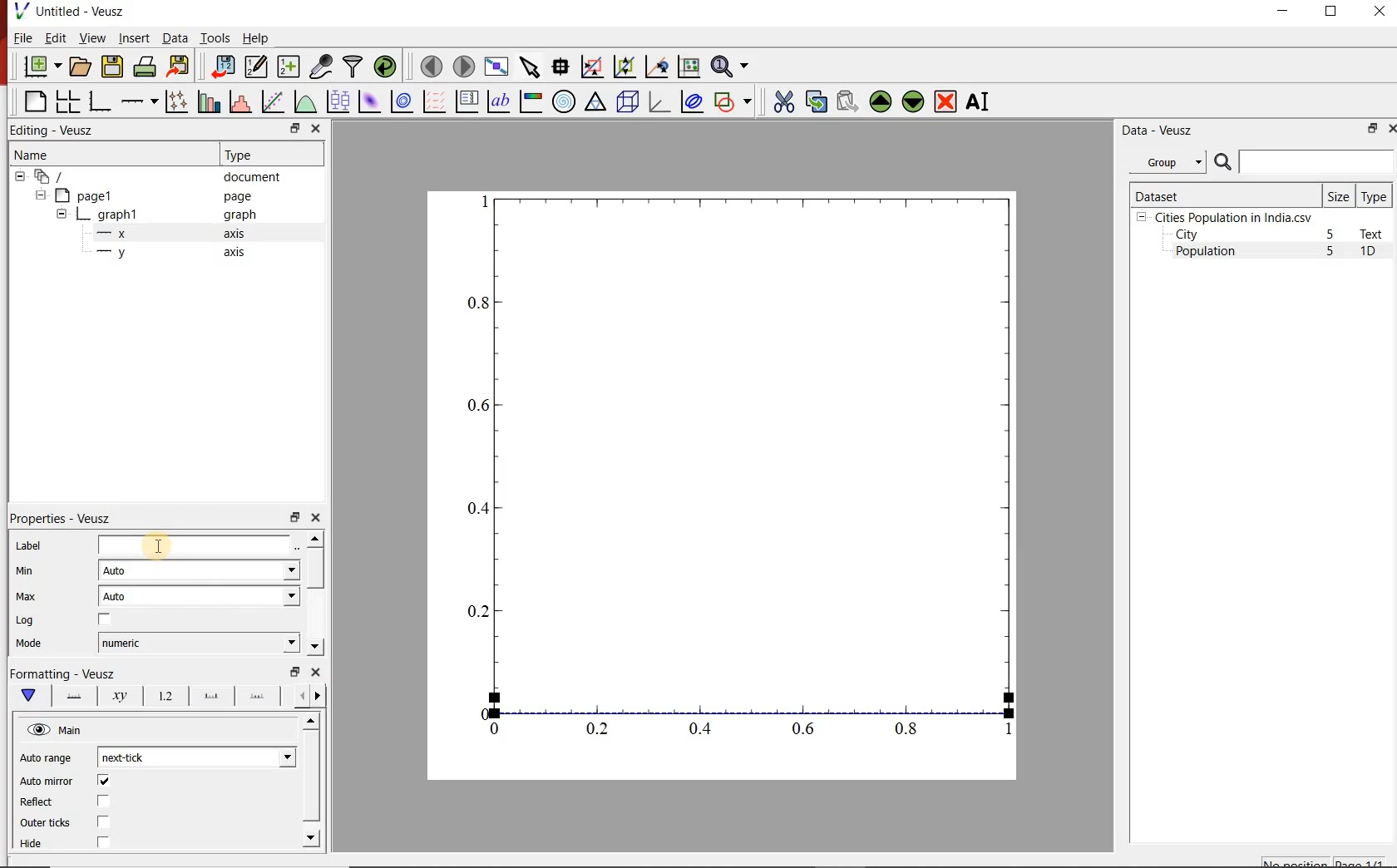 This screenshot has width=1397, height=868. I want to click on y axis, so click(174, 253).